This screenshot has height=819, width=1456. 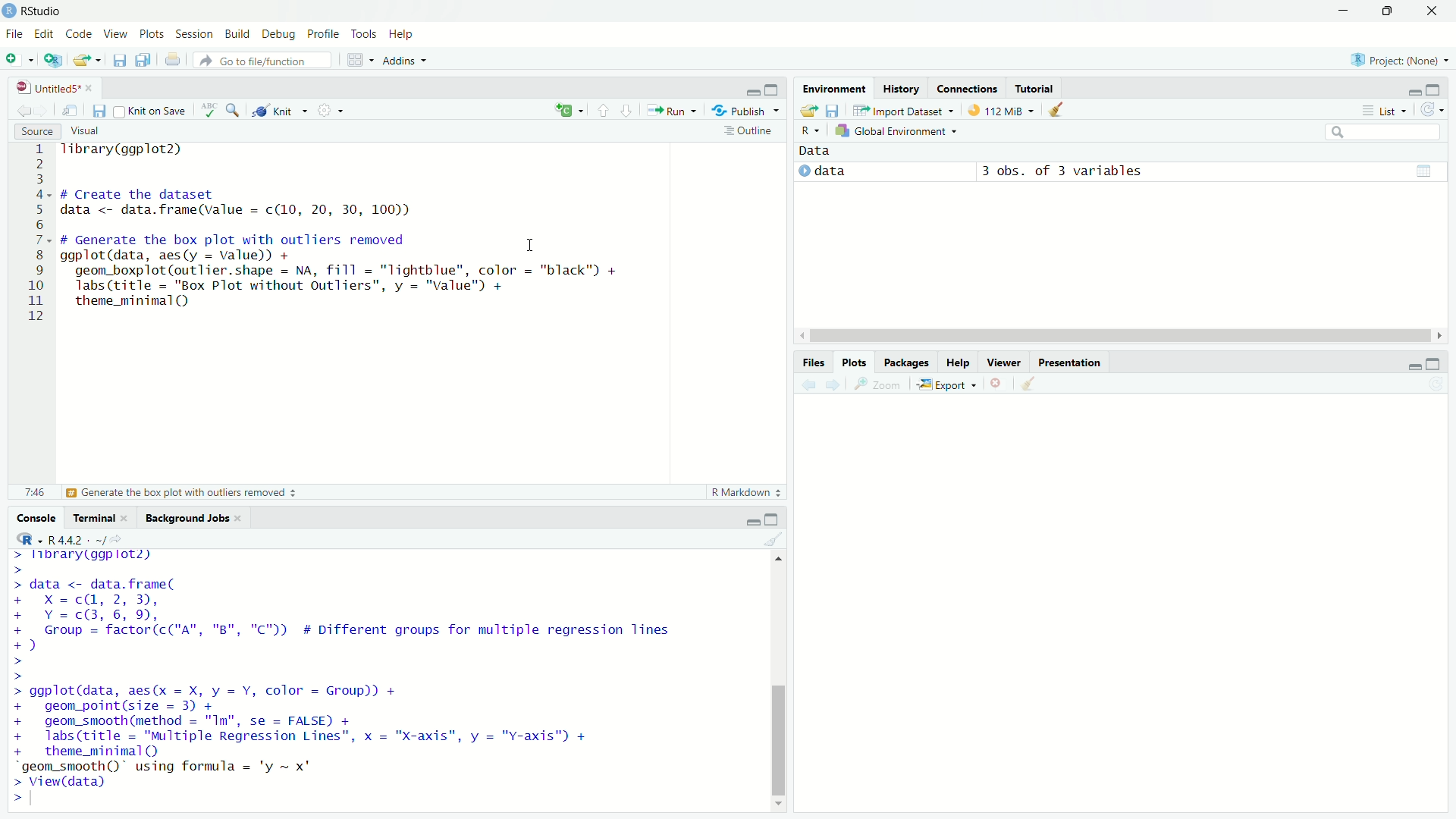 What do you see at coordinates (326, 35) in the screenshot?
I see `Profile` at bounding box center [326, 35].